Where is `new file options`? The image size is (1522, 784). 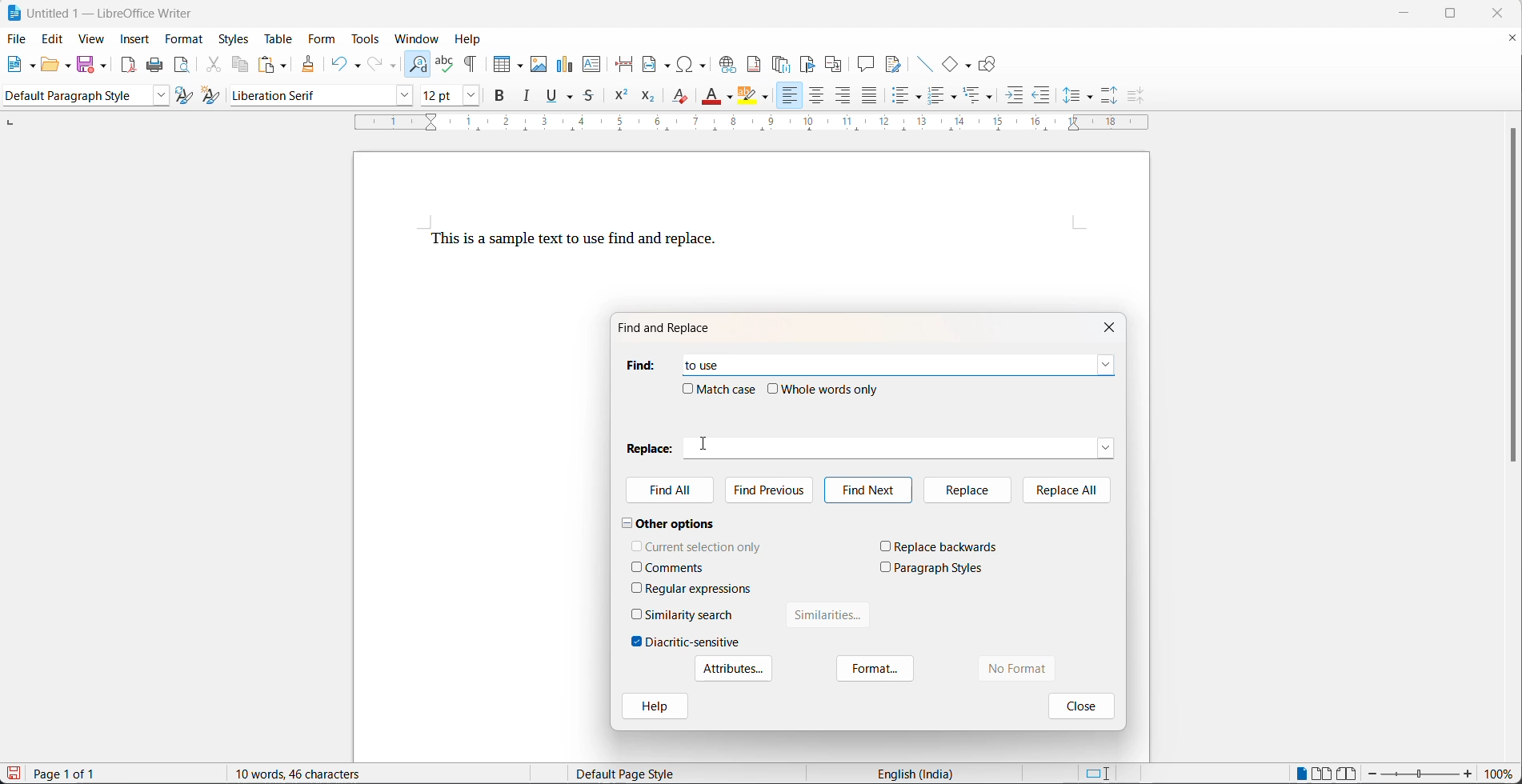
new file options is located at coordinates (34, 66).